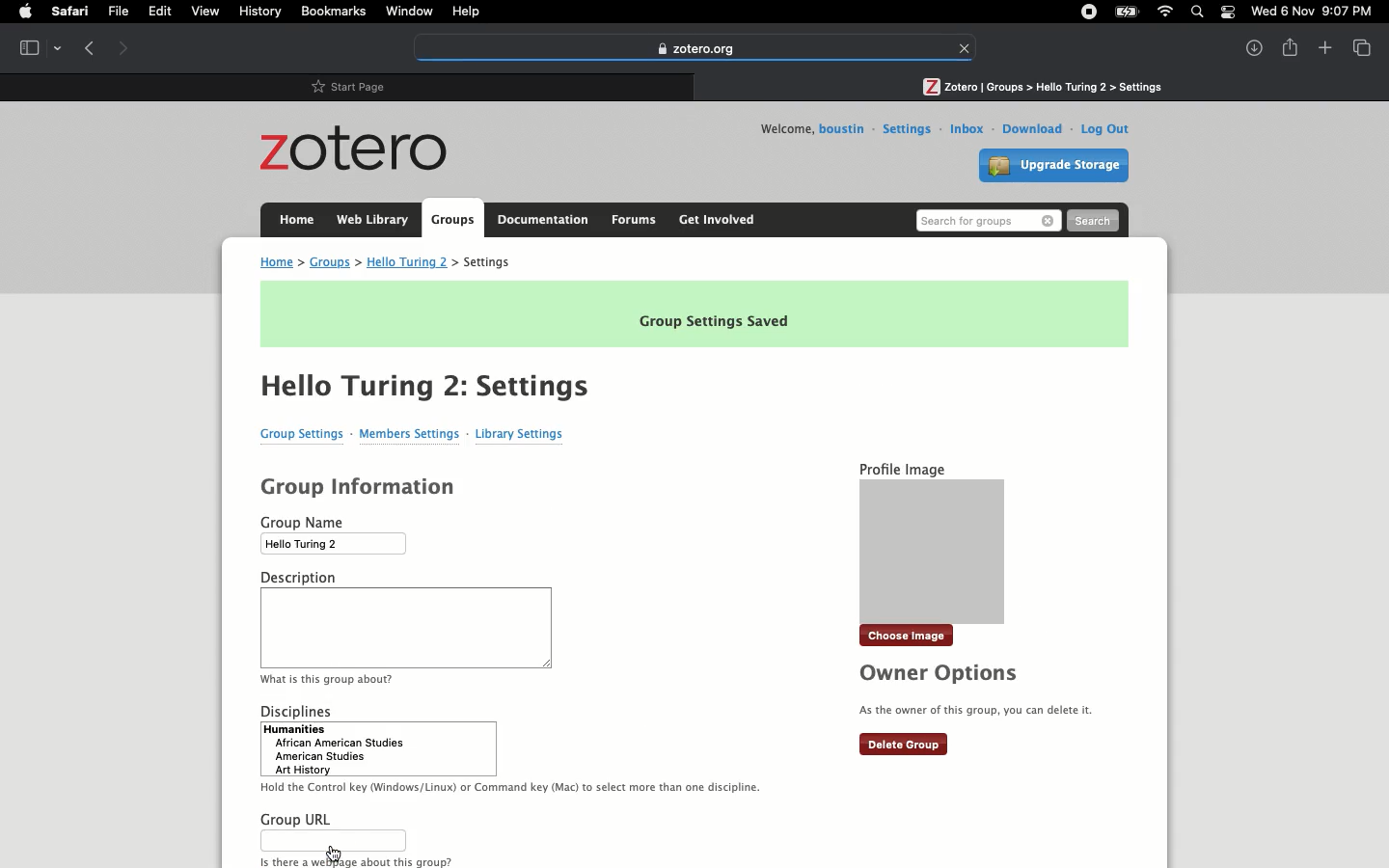 The height and width of the screenshot is (868, 1389). I want to click on Owner options, so click(982, 692).